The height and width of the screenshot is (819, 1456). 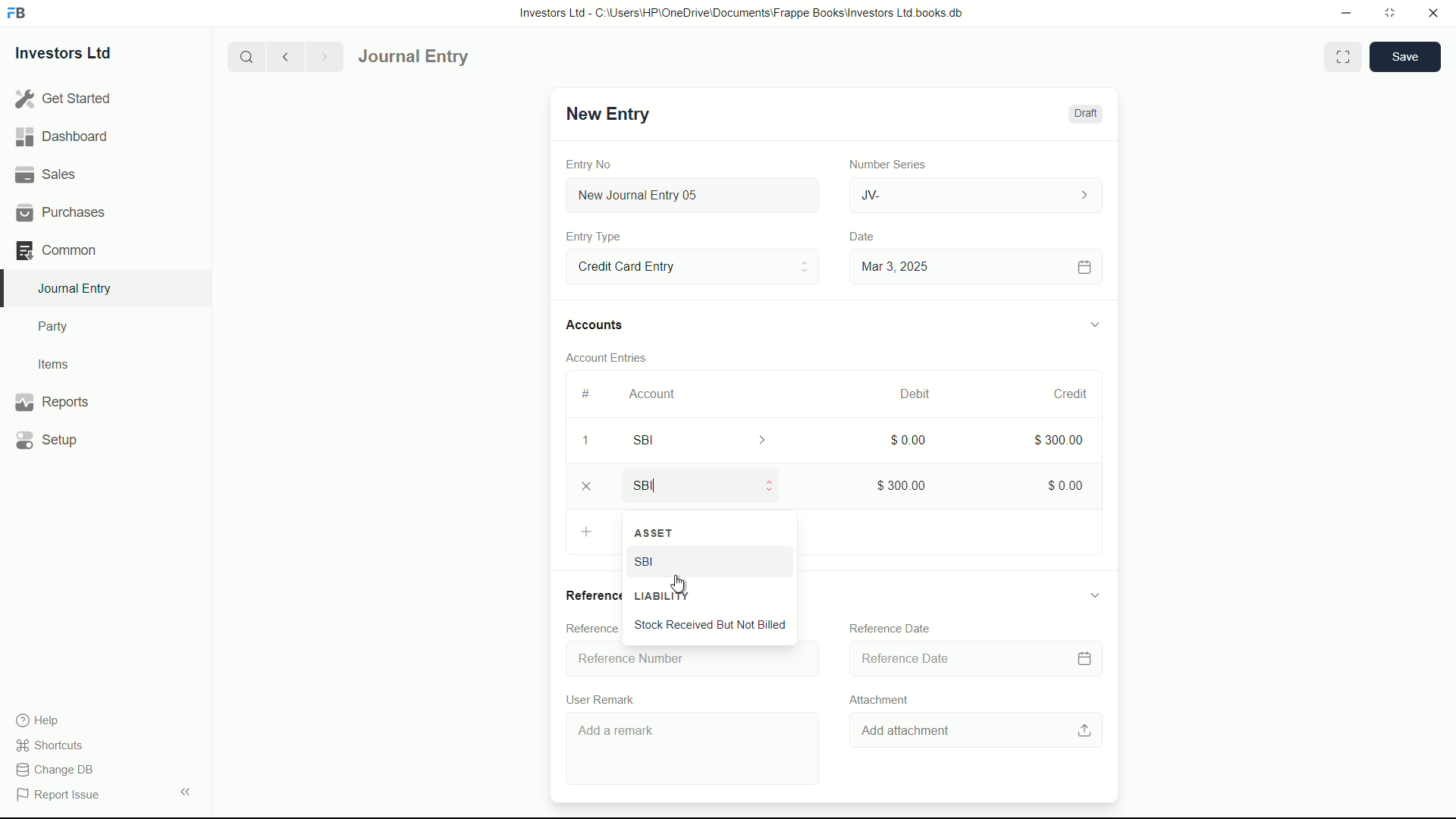 I want to click on $300.00, so click(x=899, y=485).